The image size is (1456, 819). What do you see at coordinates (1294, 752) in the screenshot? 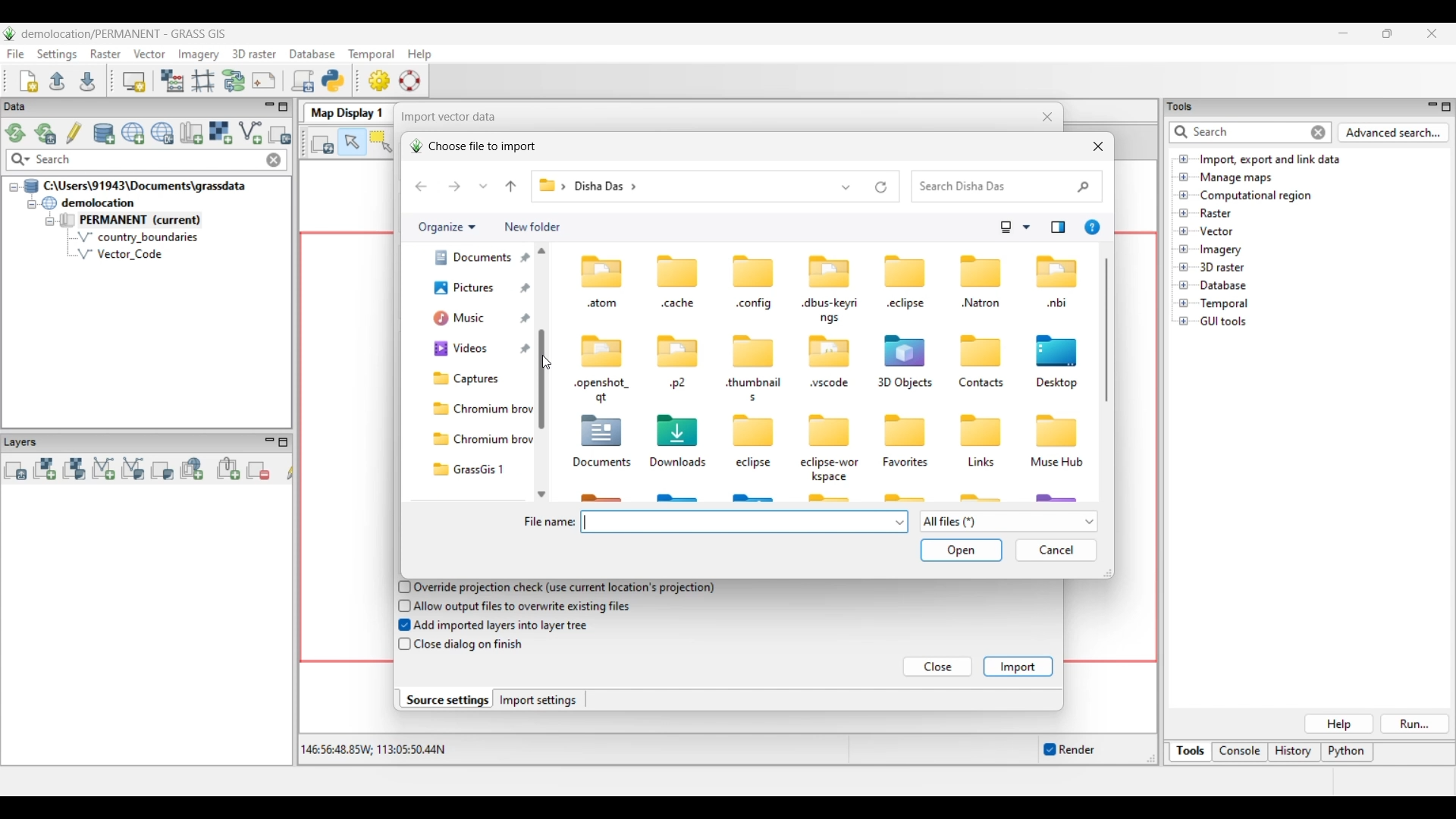
I see `History` at bounding box center [1294, 752].